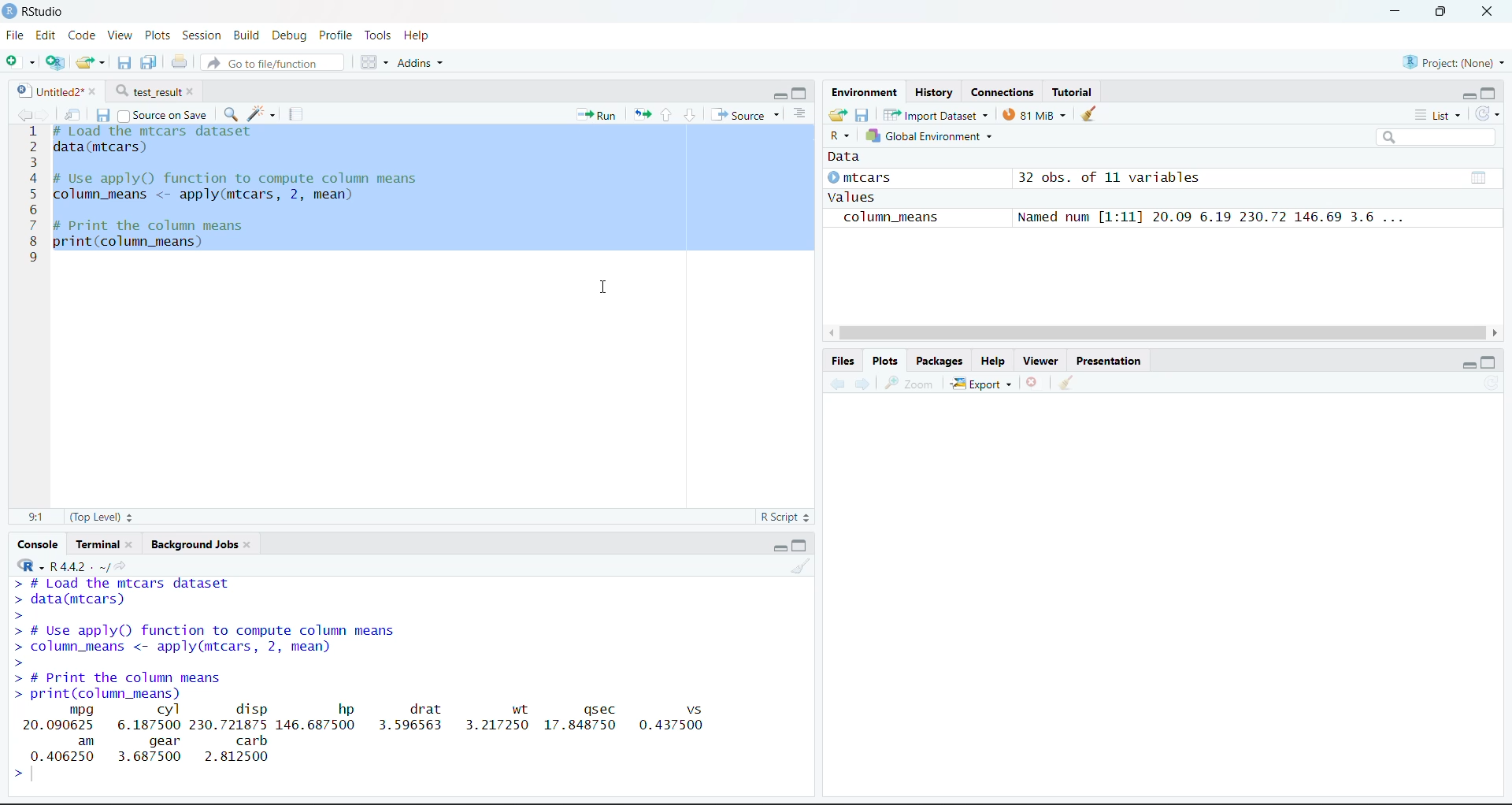 This screenshot has width=1512, height=805. What do you see at coordinates (1033, 379) in the screenshot?
I see `Close` at bounding box center [1033, 379].